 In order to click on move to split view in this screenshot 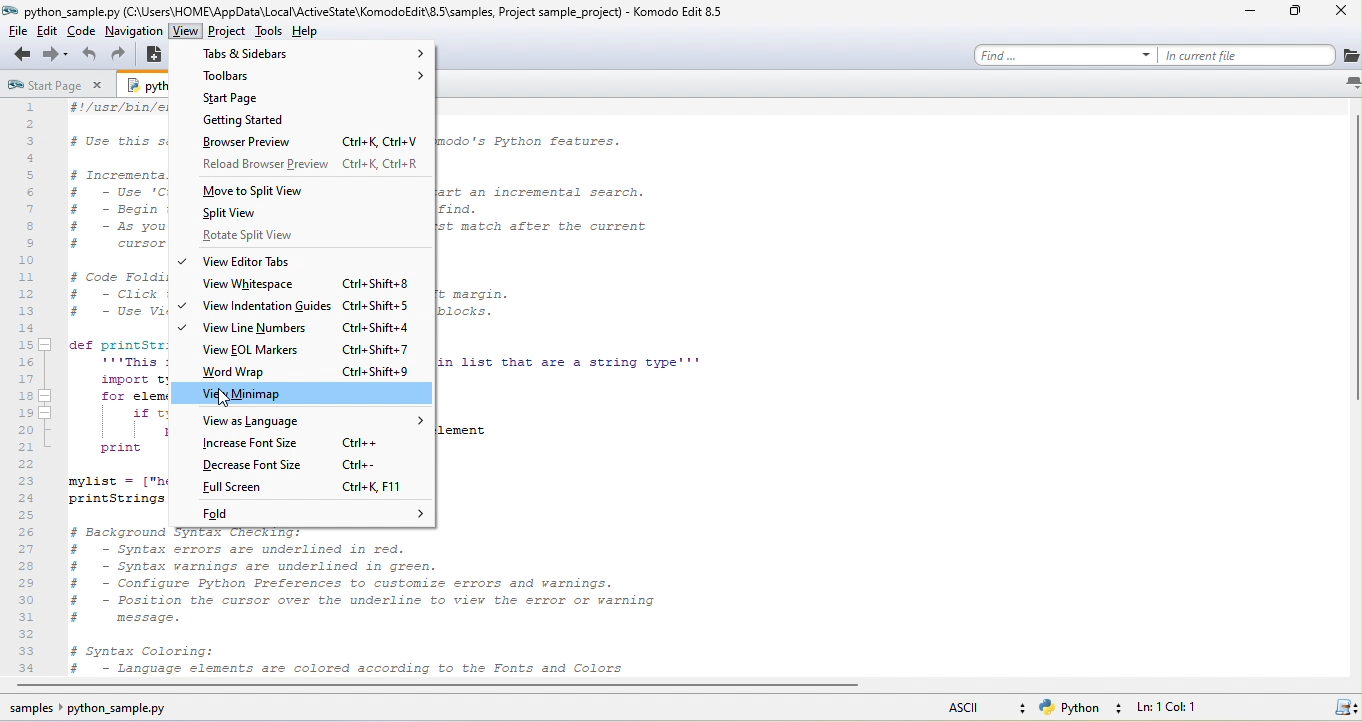, I will do `click(263, 191)`.